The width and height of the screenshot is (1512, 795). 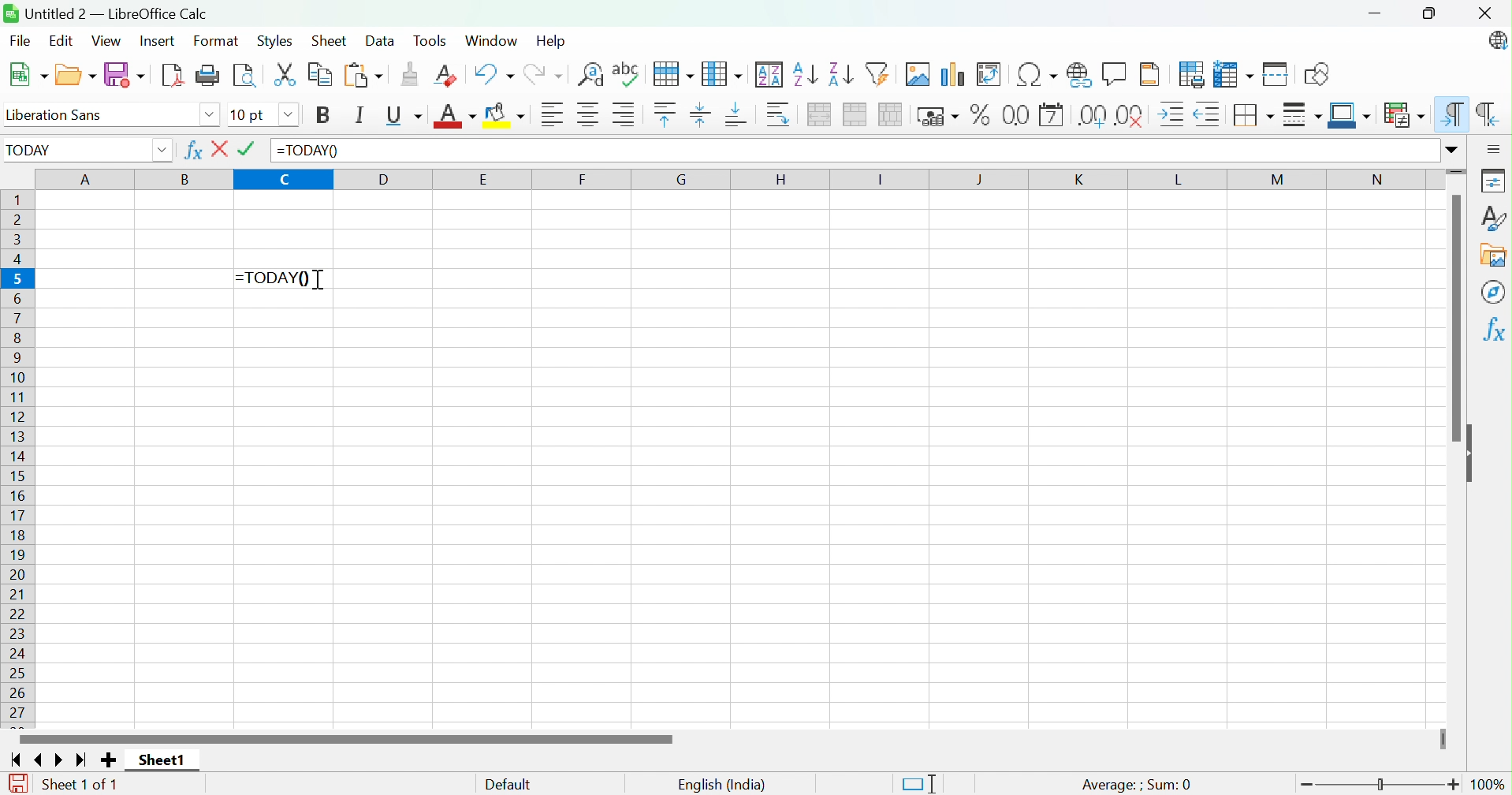 What do you see at coordinates (222, 149) in the screenshot?
I see `Close` at bounding box center [222, 149].